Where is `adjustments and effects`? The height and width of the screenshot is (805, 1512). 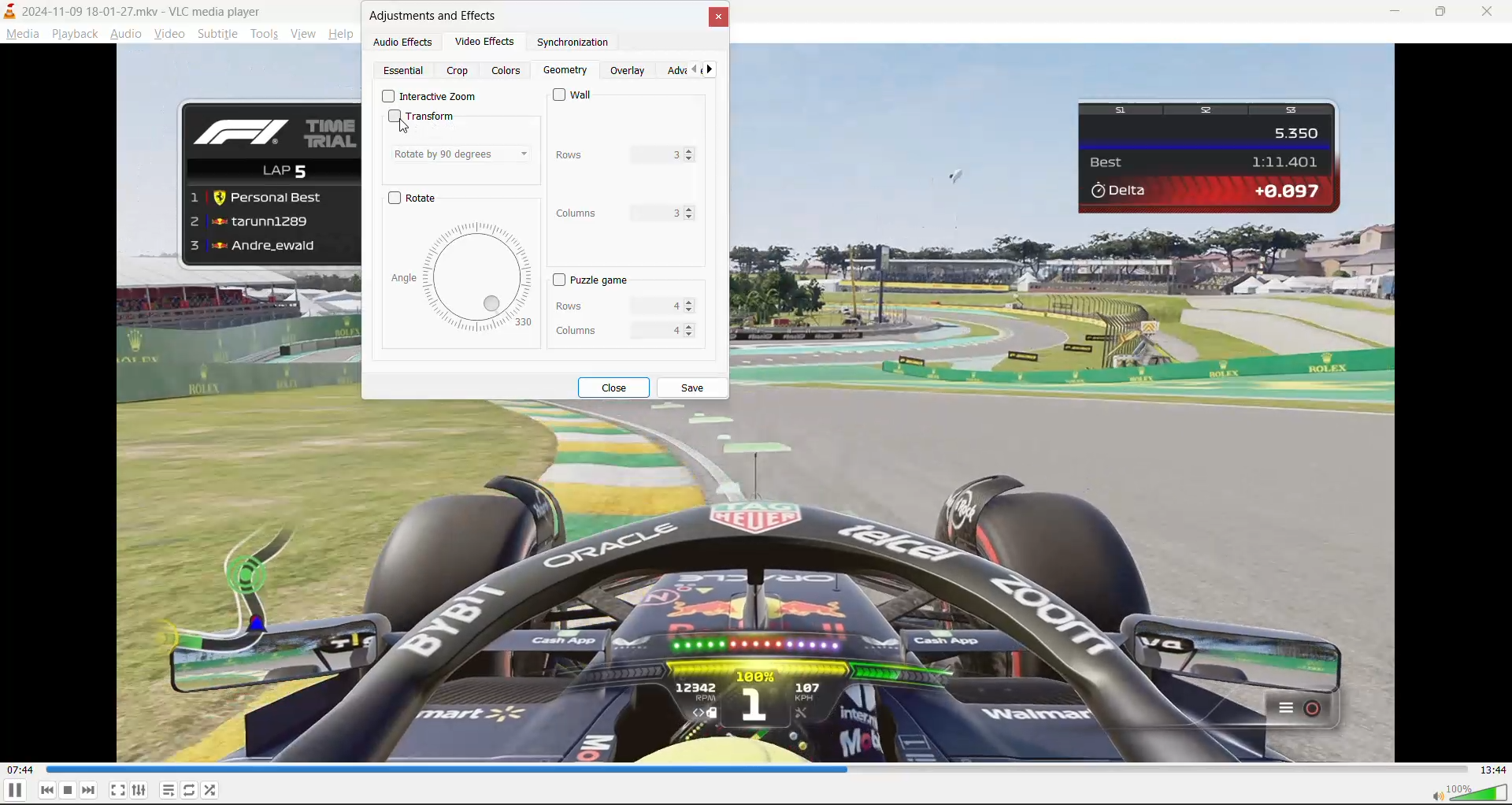
adjustments and effects is located at coordinates (436, 15).